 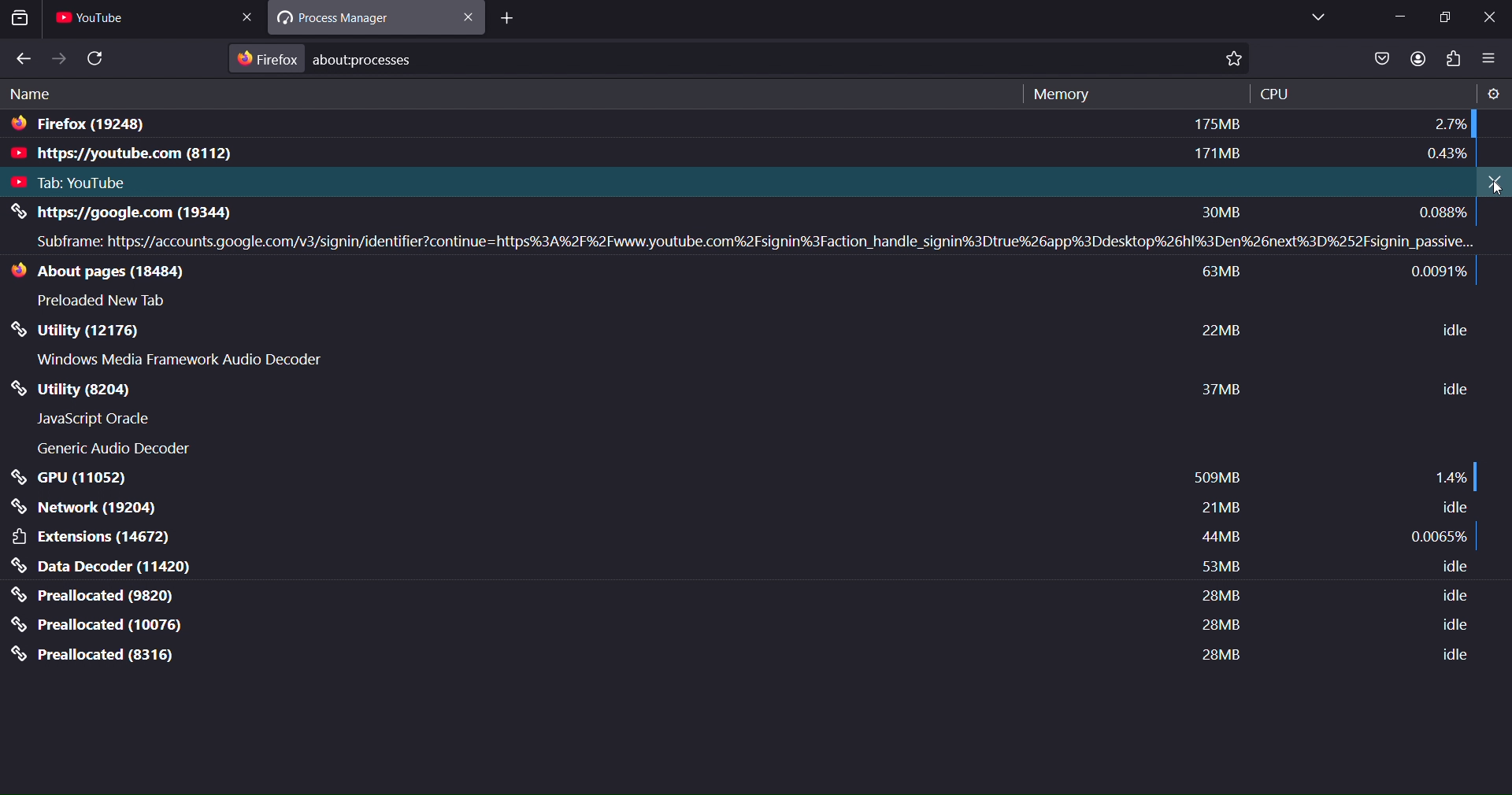 I want to click on list all tabs, so click(x=1316, y=17).